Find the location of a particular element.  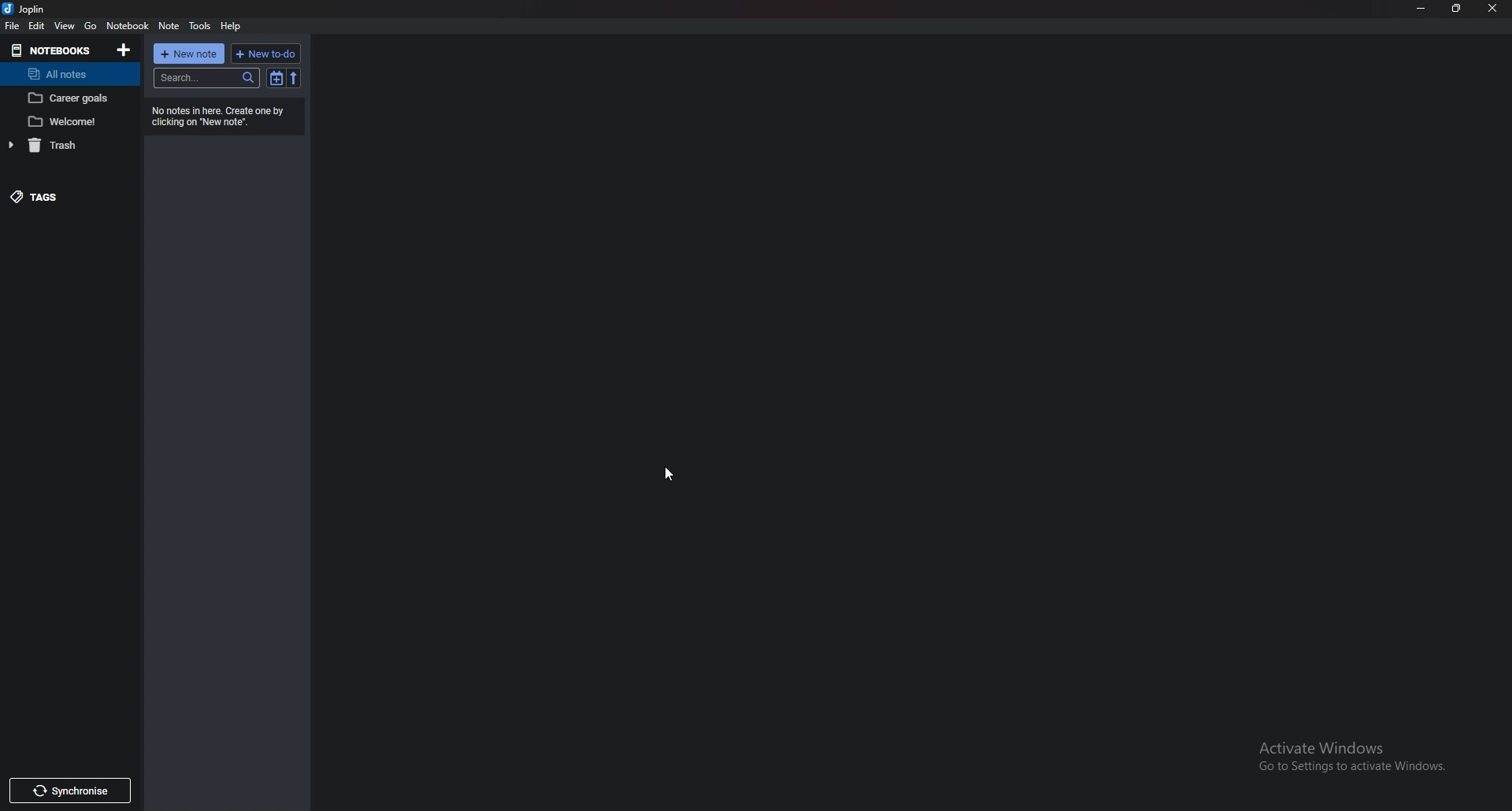

help is located at coordinates (234, 25).